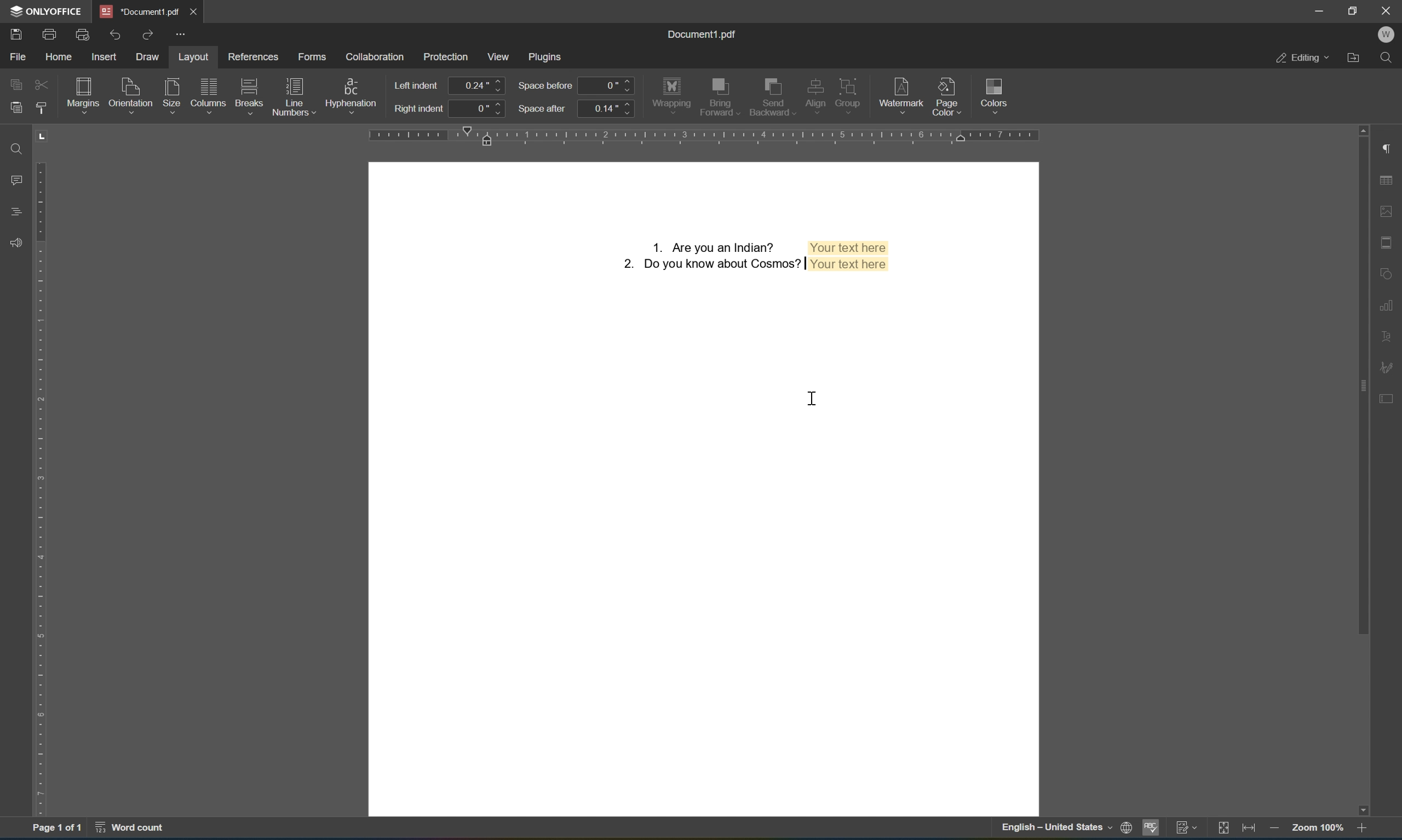  Describe the element at coordinates (701, 136) in the screenshot. I see `ruler` at that location.